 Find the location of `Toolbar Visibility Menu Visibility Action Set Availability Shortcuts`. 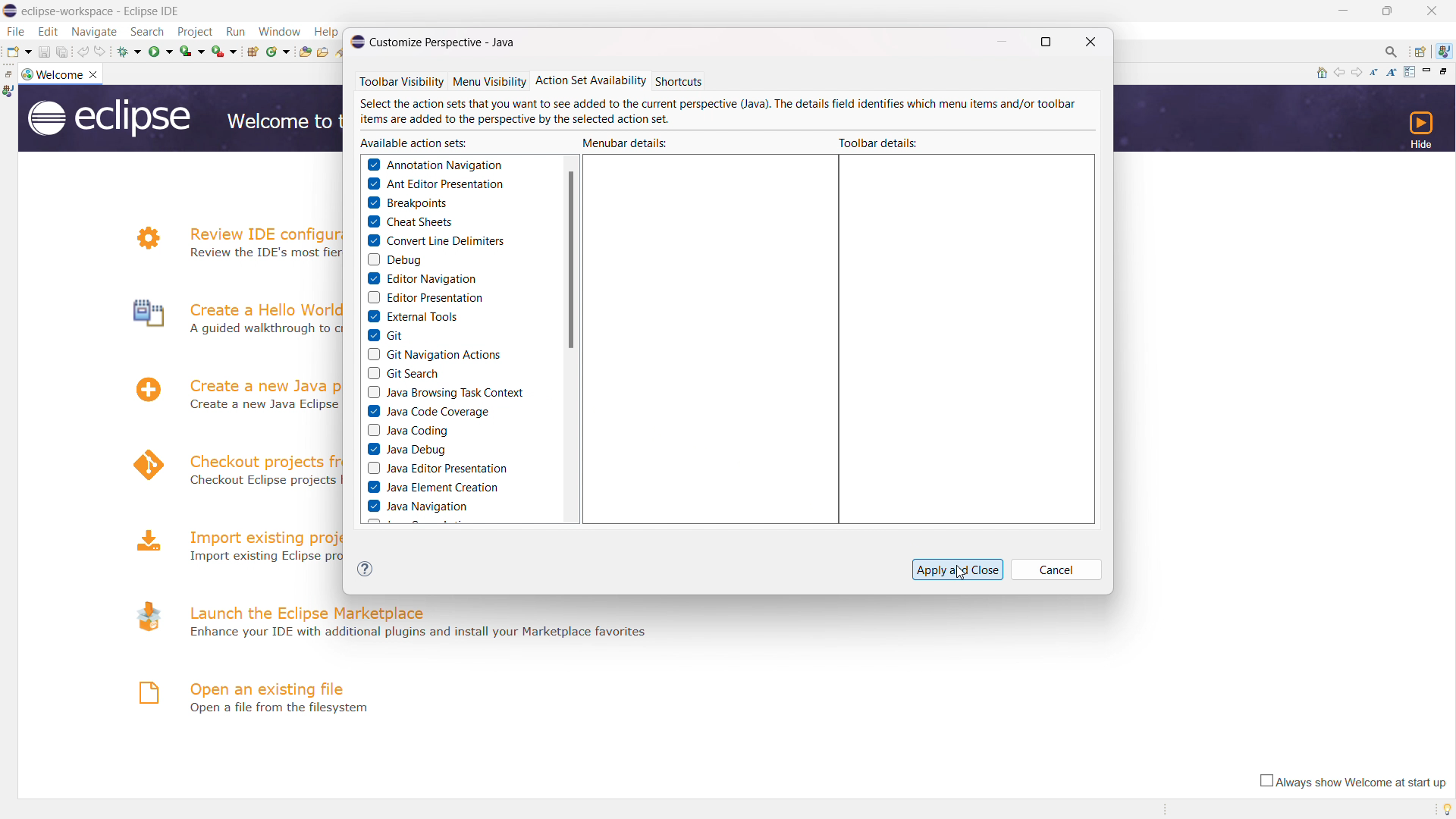

Toolbar Visibility Menu Visibility Action Set Availability Shortcuts is located at coordinates (566, 80).